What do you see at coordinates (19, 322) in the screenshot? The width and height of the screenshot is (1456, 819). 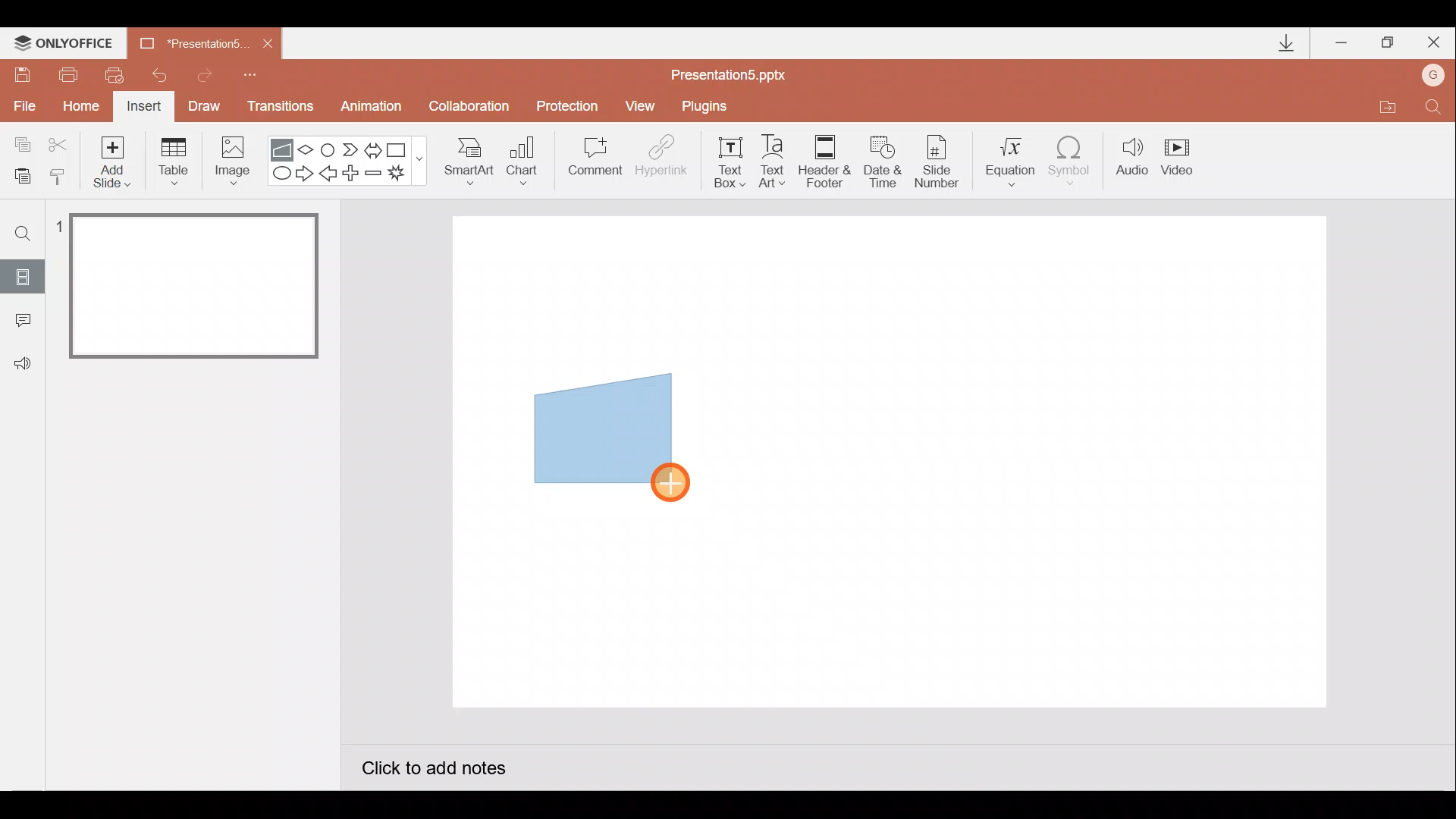 I see `Comments` at bounding box center [19, 322].